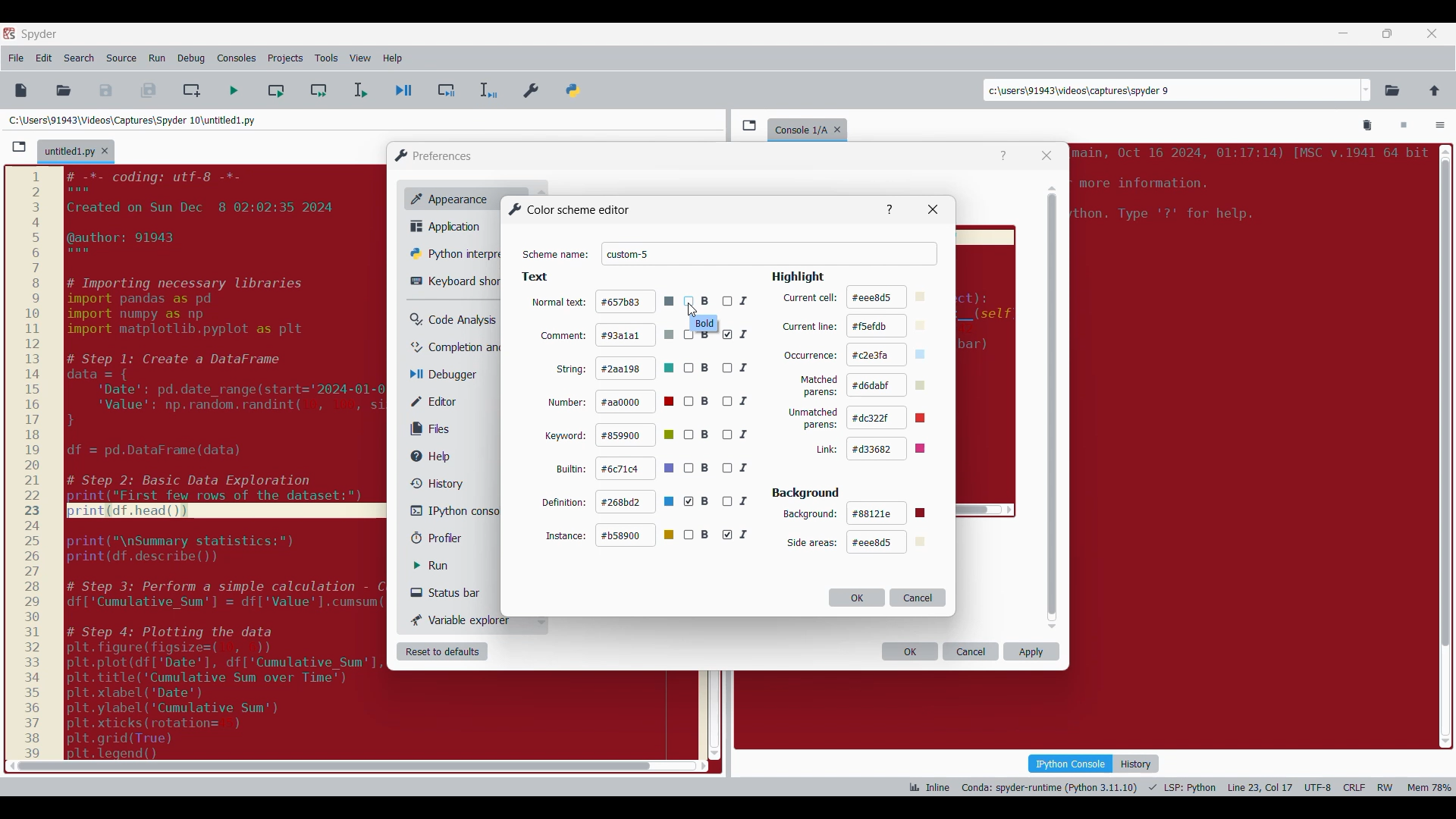  I want to click on I, so click(739, 501).